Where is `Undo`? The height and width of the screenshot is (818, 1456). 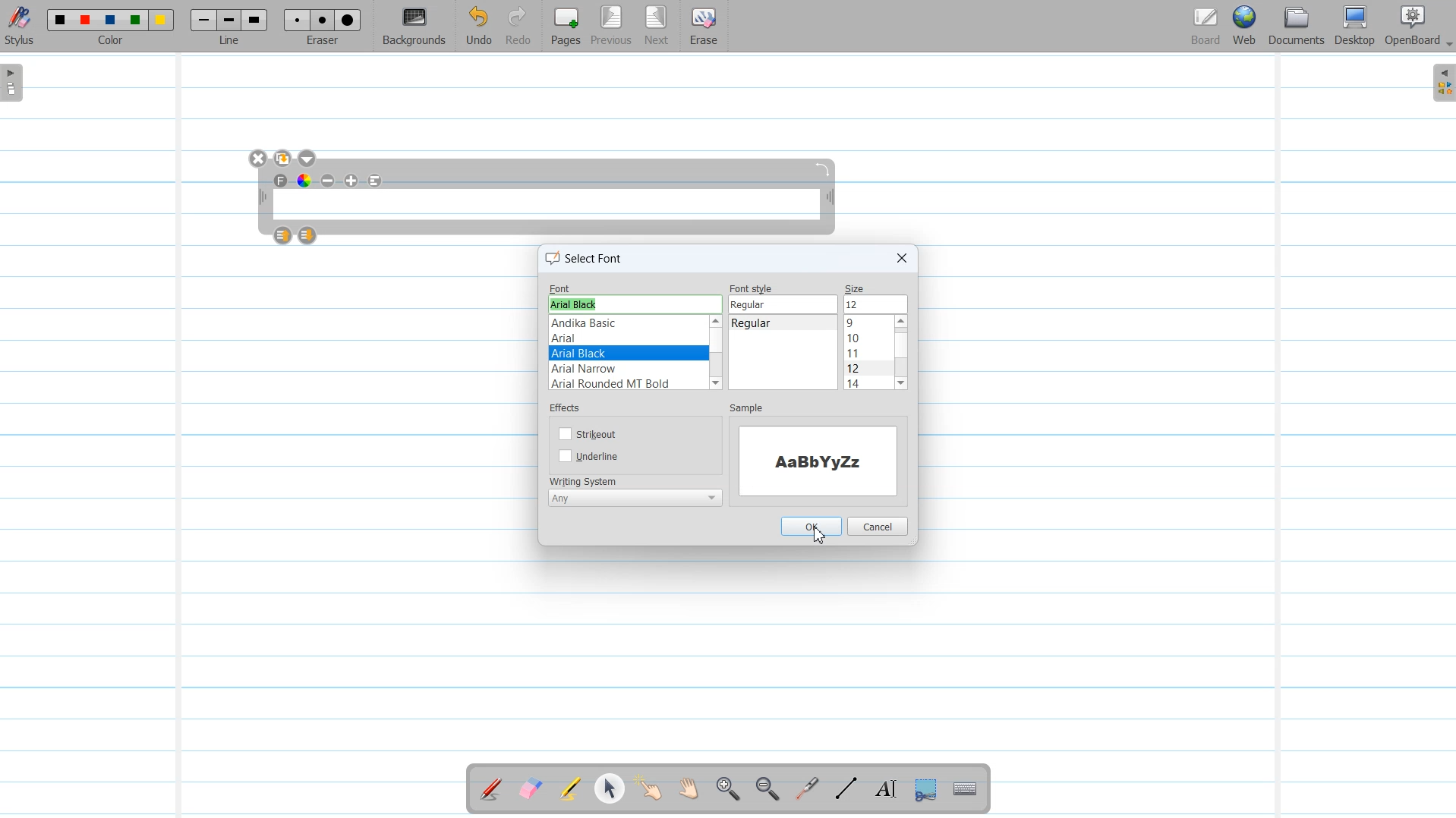 Undo is located at coordinates (478, 27).